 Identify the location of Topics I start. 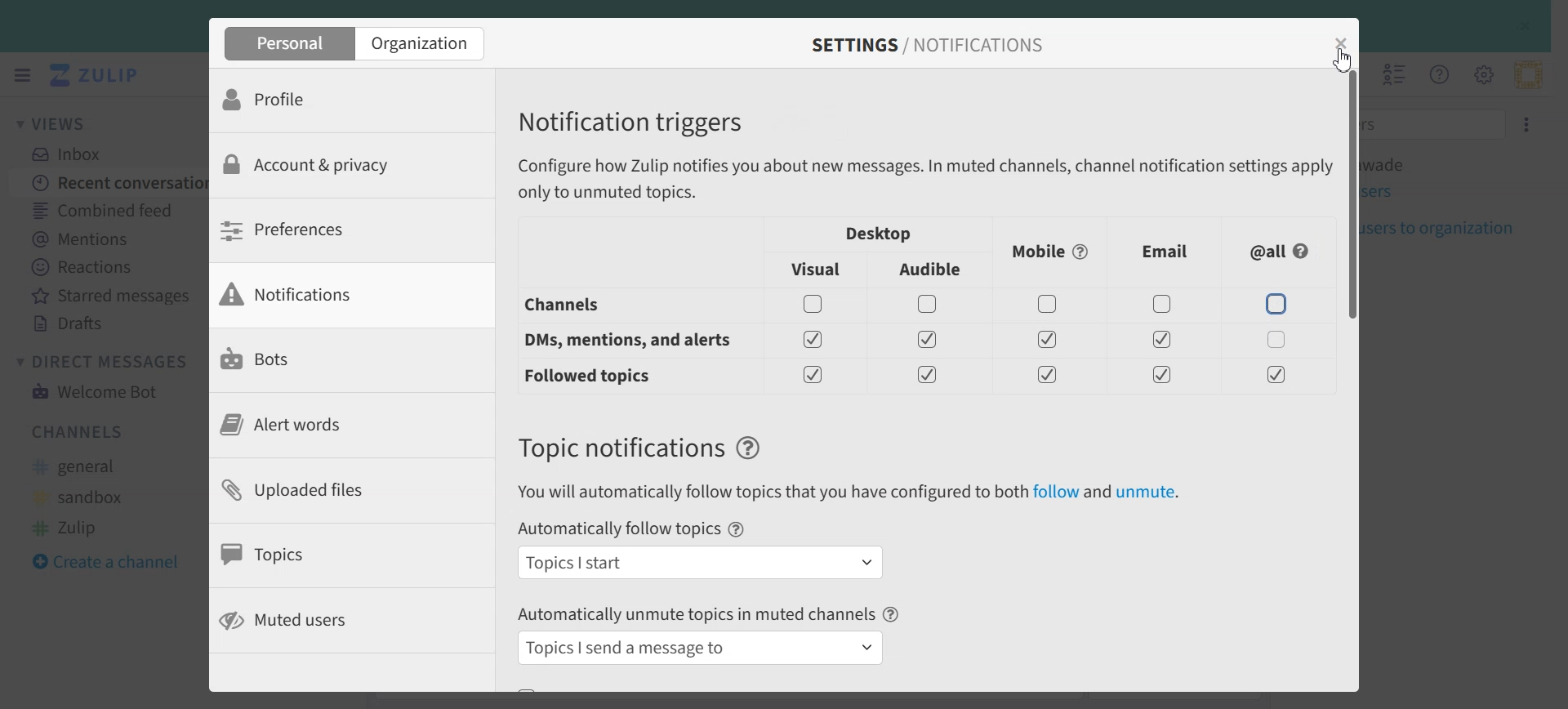
(701, 562).